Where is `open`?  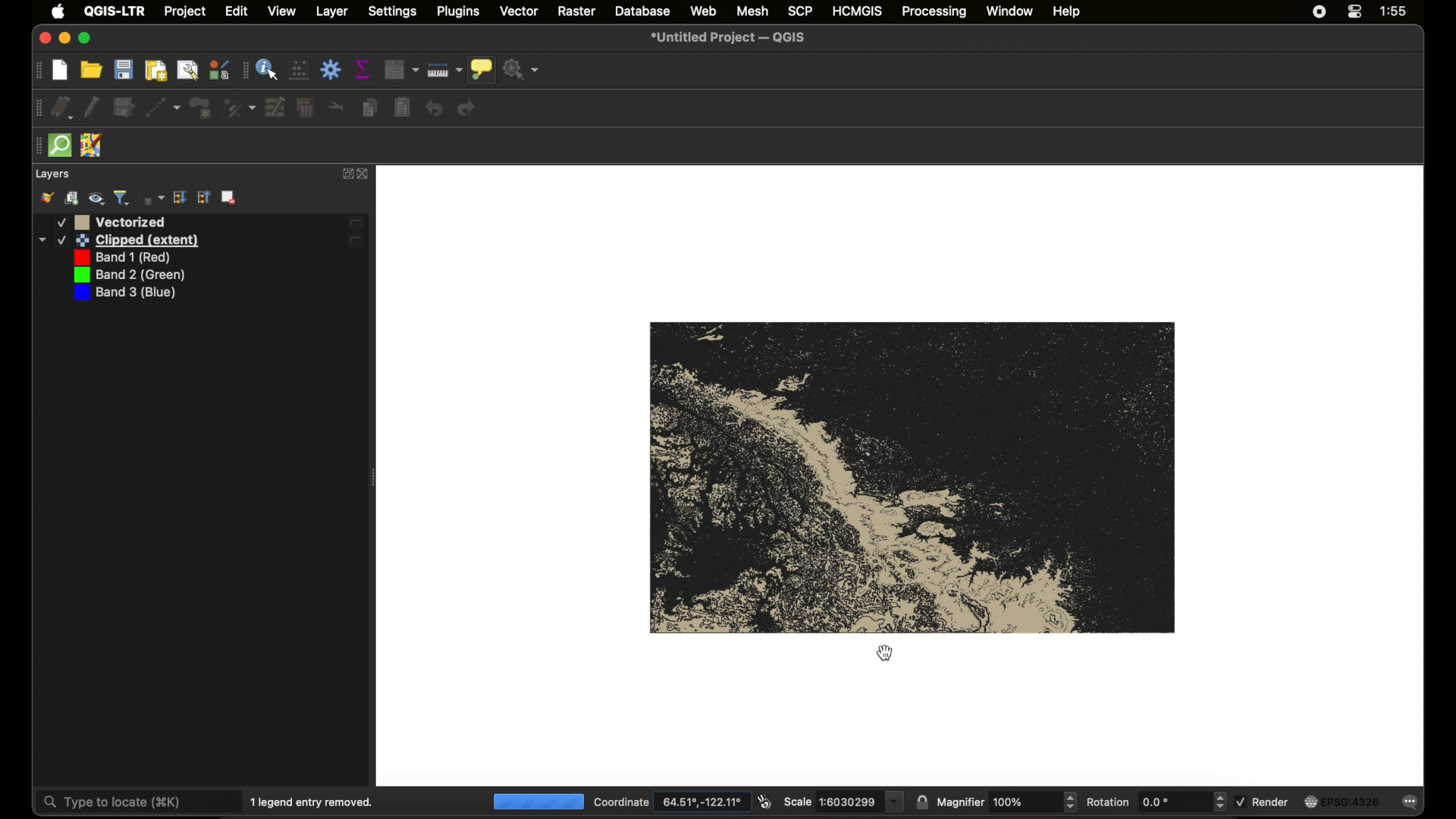 open is located at coordinates (91, 69).